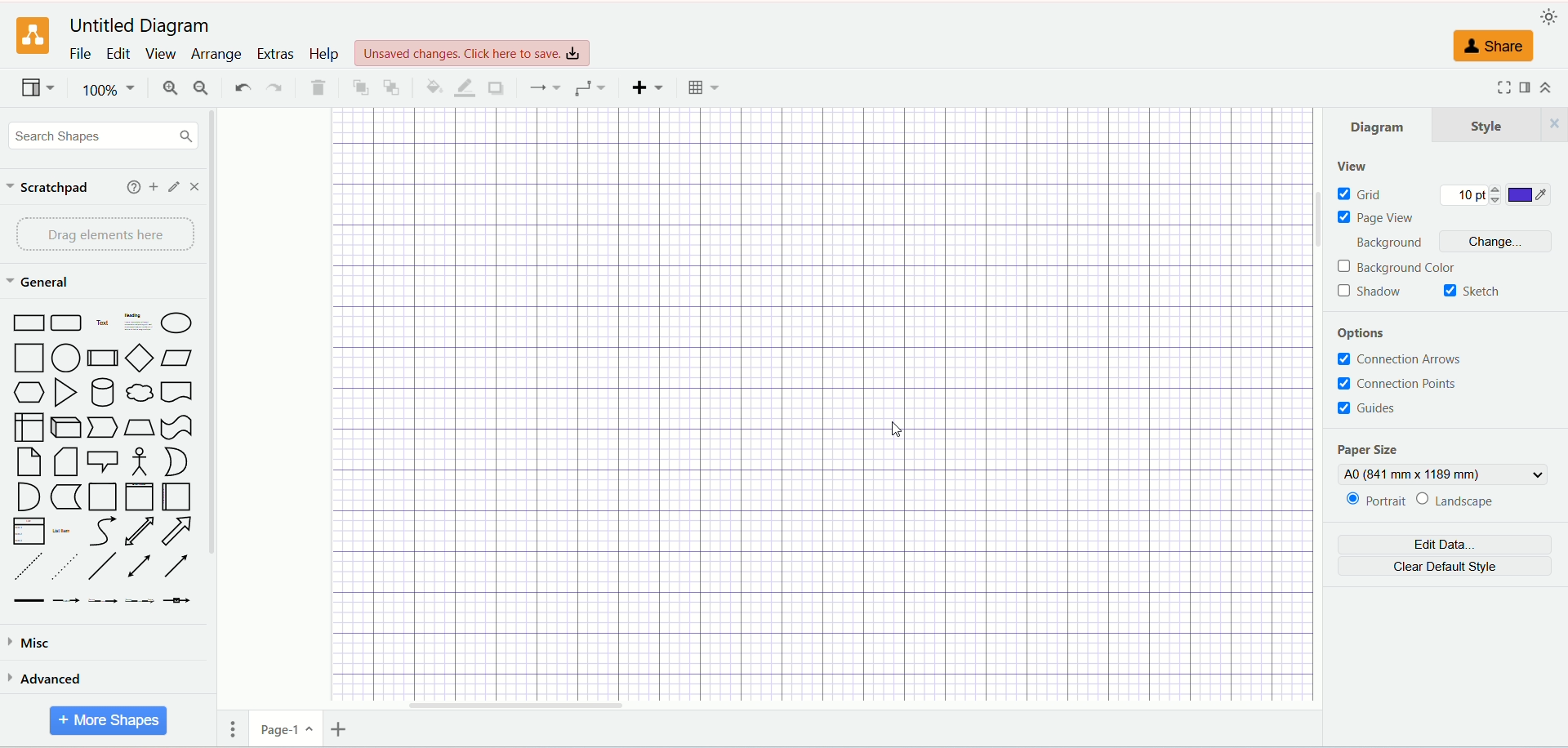  I want to click on zoom out, so click(202, 87).